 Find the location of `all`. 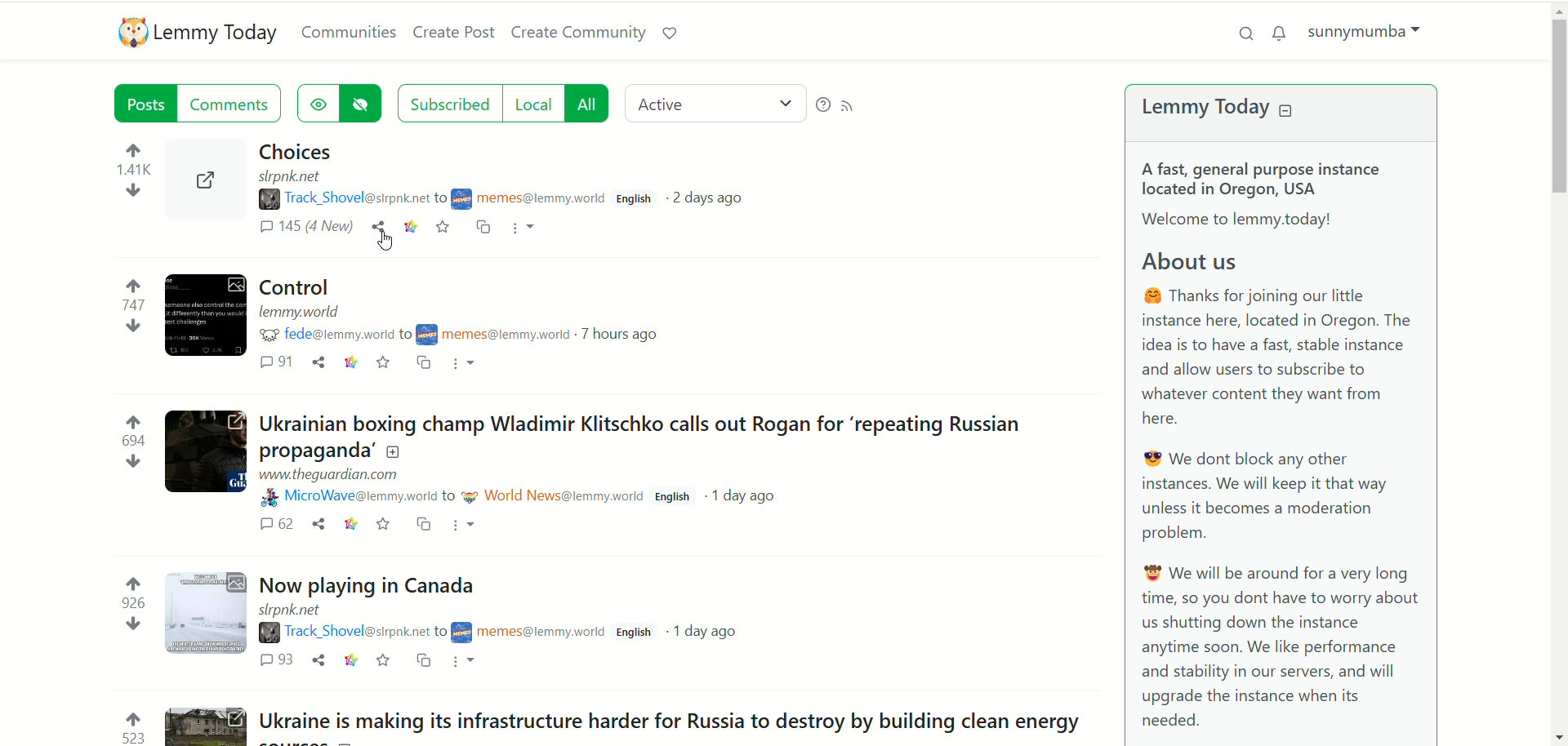

all is located at coordinates (586, 104).